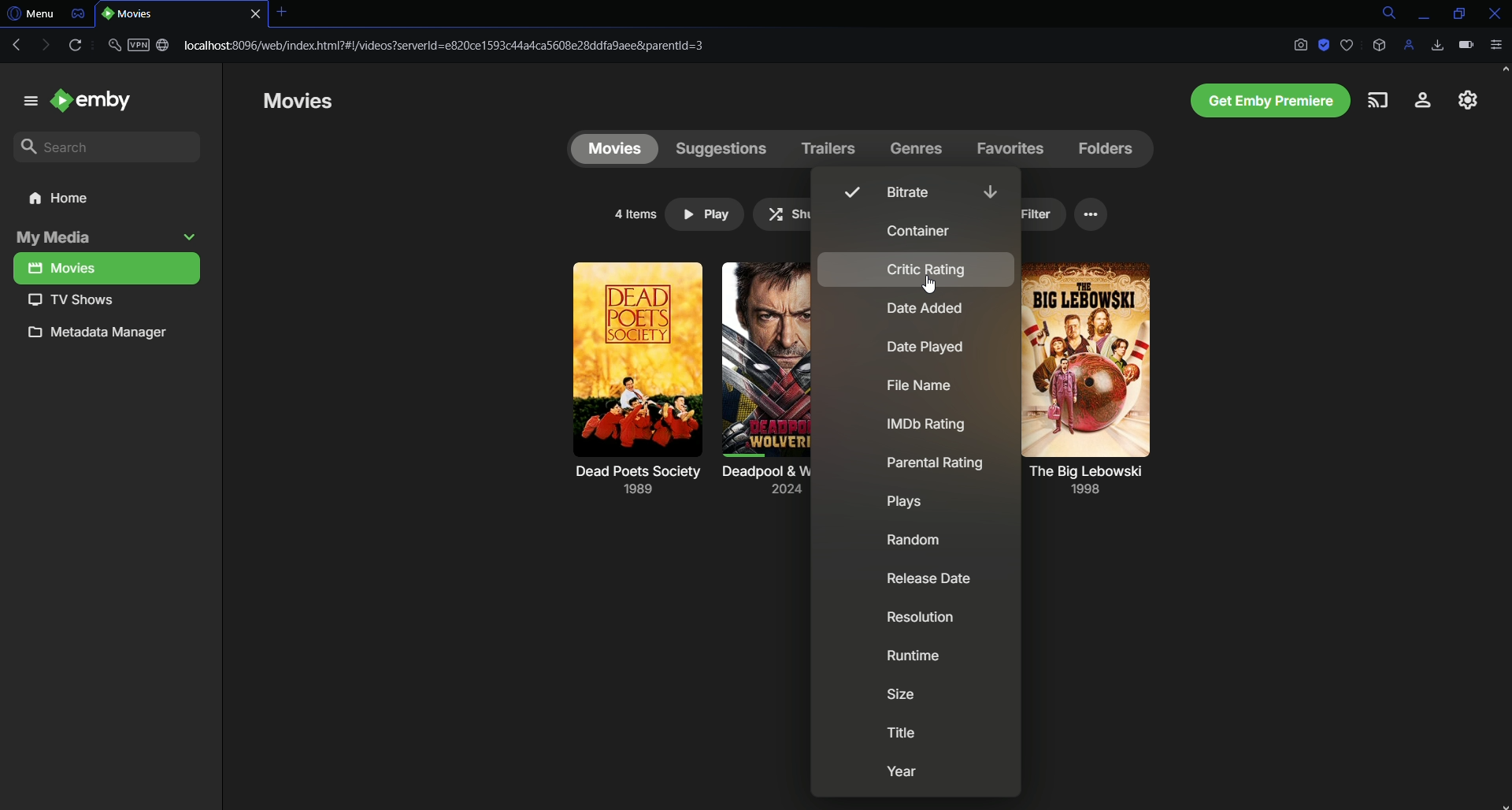  What do you see at coordinates (1006, 150) in the screenshot?
I see `Favorites` at bounding box center [1006, 150].